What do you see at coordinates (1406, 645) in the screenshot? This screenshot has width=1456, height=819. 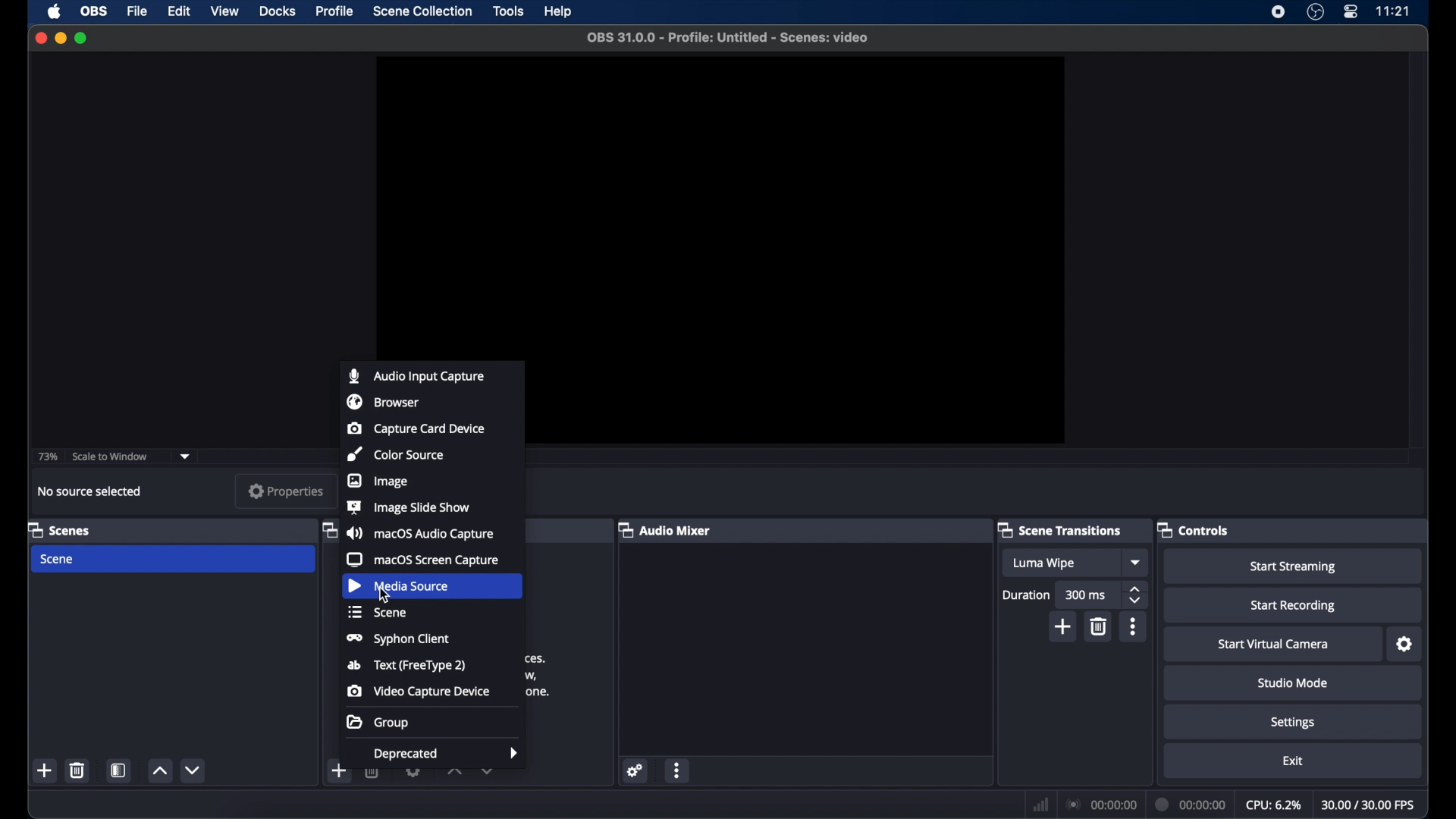 I see `settings` at bounding box center [1406, 645].